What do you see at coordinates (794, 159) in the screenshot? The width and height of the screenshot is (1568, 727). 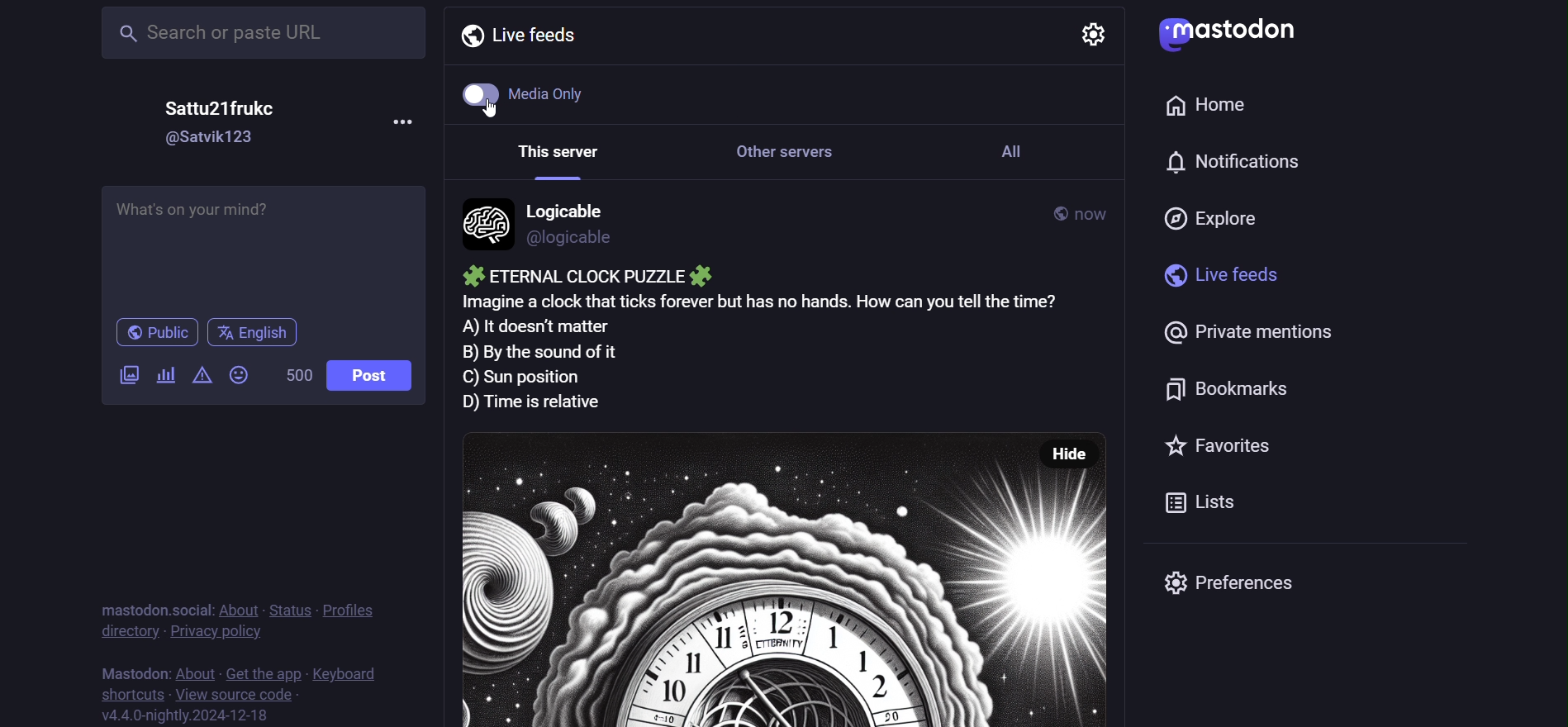 I see `other servers` at bounding box center [794, 159].